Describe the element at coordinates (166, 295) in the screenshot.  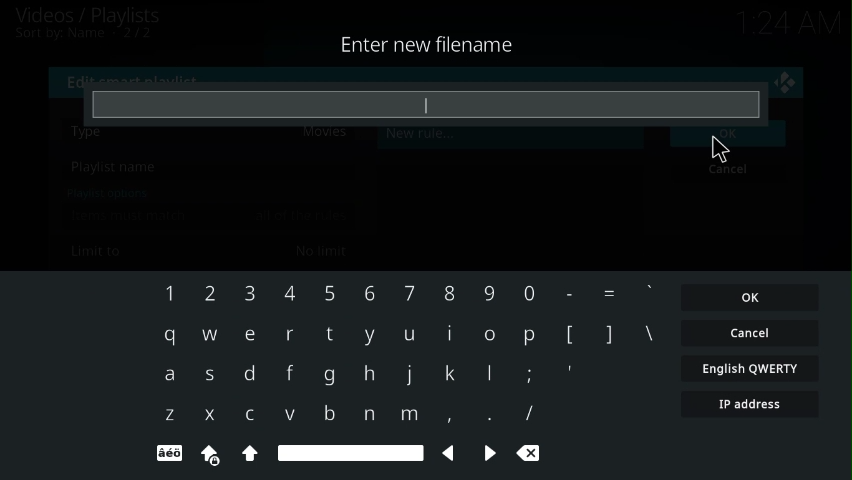
I see `1` at that location.